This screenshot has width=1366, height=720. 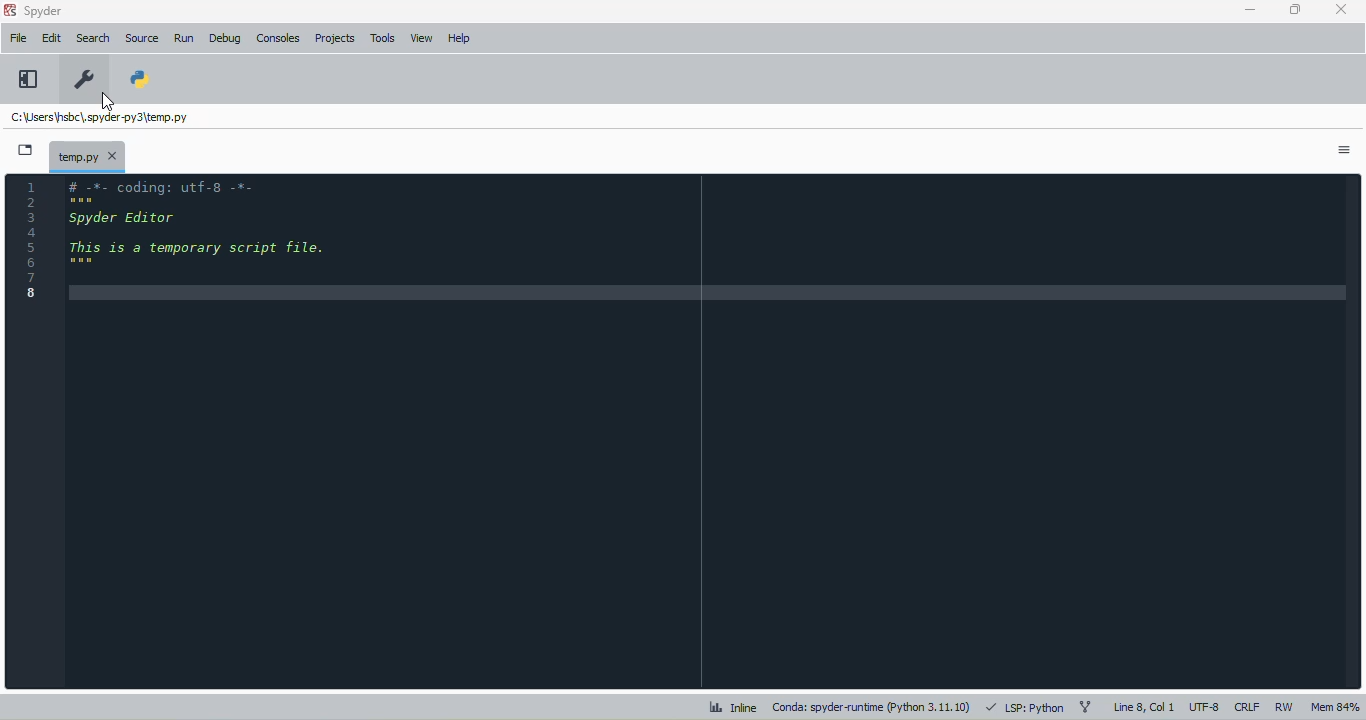 What do you see at coordinates (9, 10) in the screenshot?
I see `logo` at bounding box center [9, 10].